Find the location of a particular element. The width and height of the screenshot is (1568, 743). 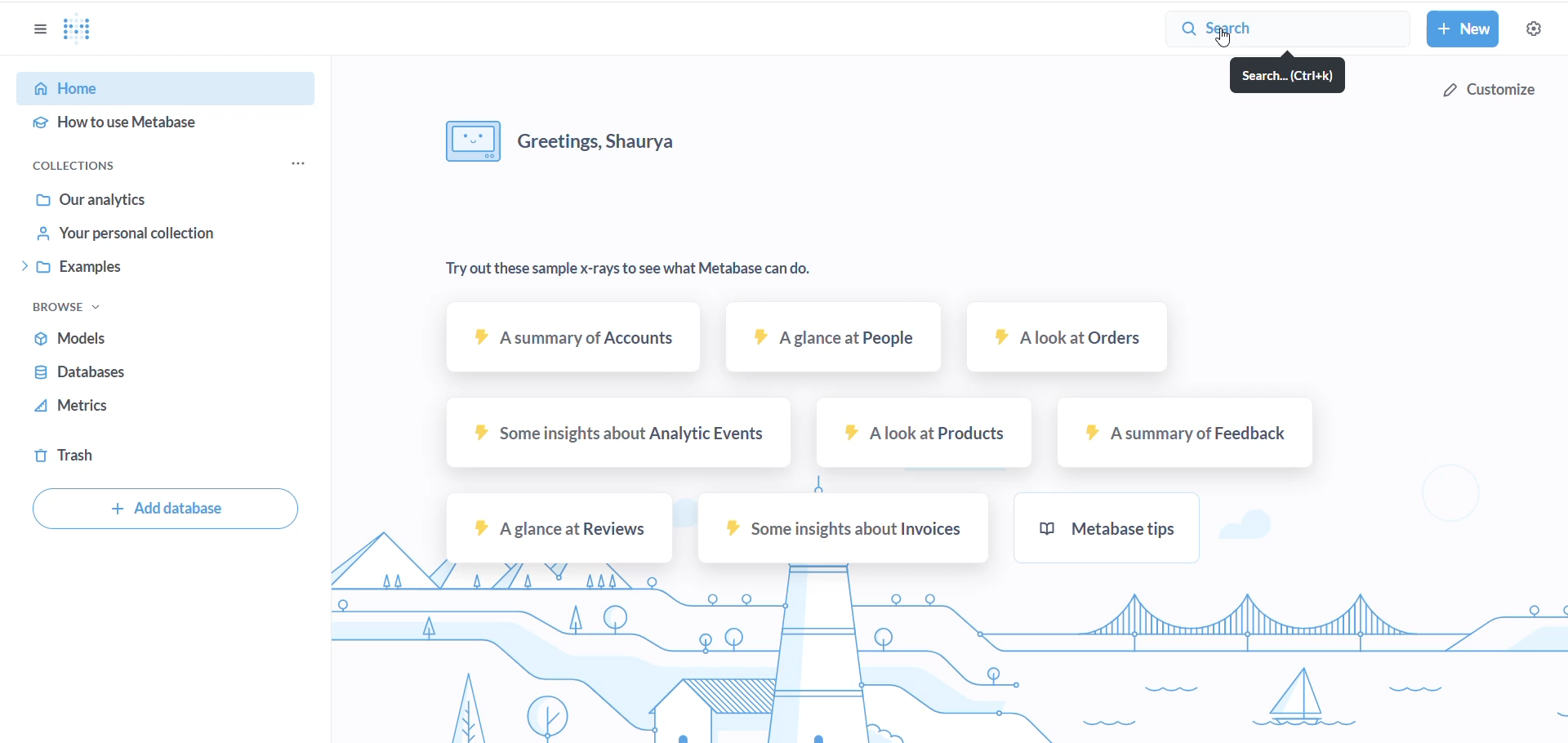

greetings, Shaurya is located at coordinates (568, 144).